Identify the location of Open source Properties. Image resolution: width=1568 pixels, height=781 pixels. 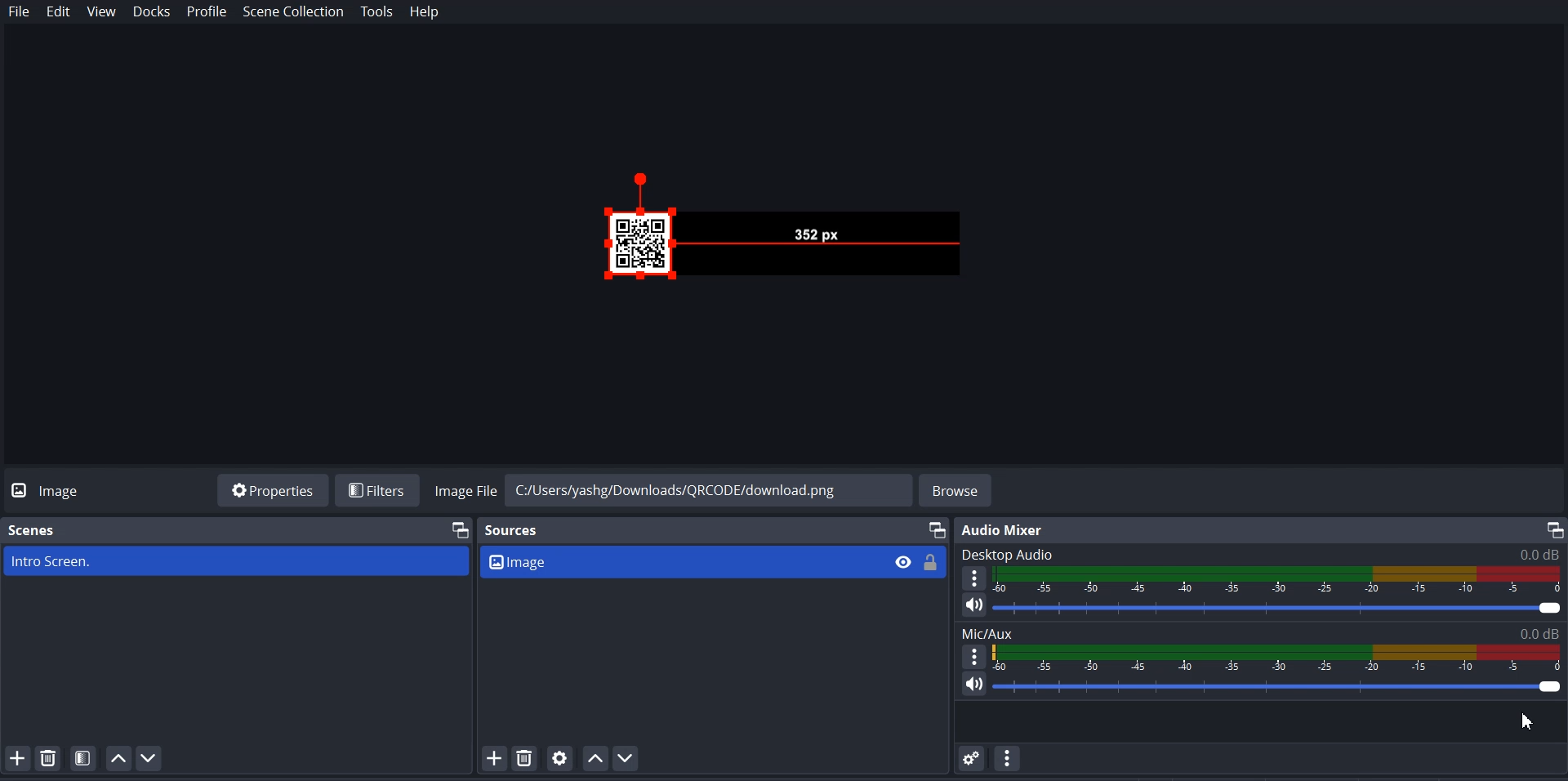
(561, 757).